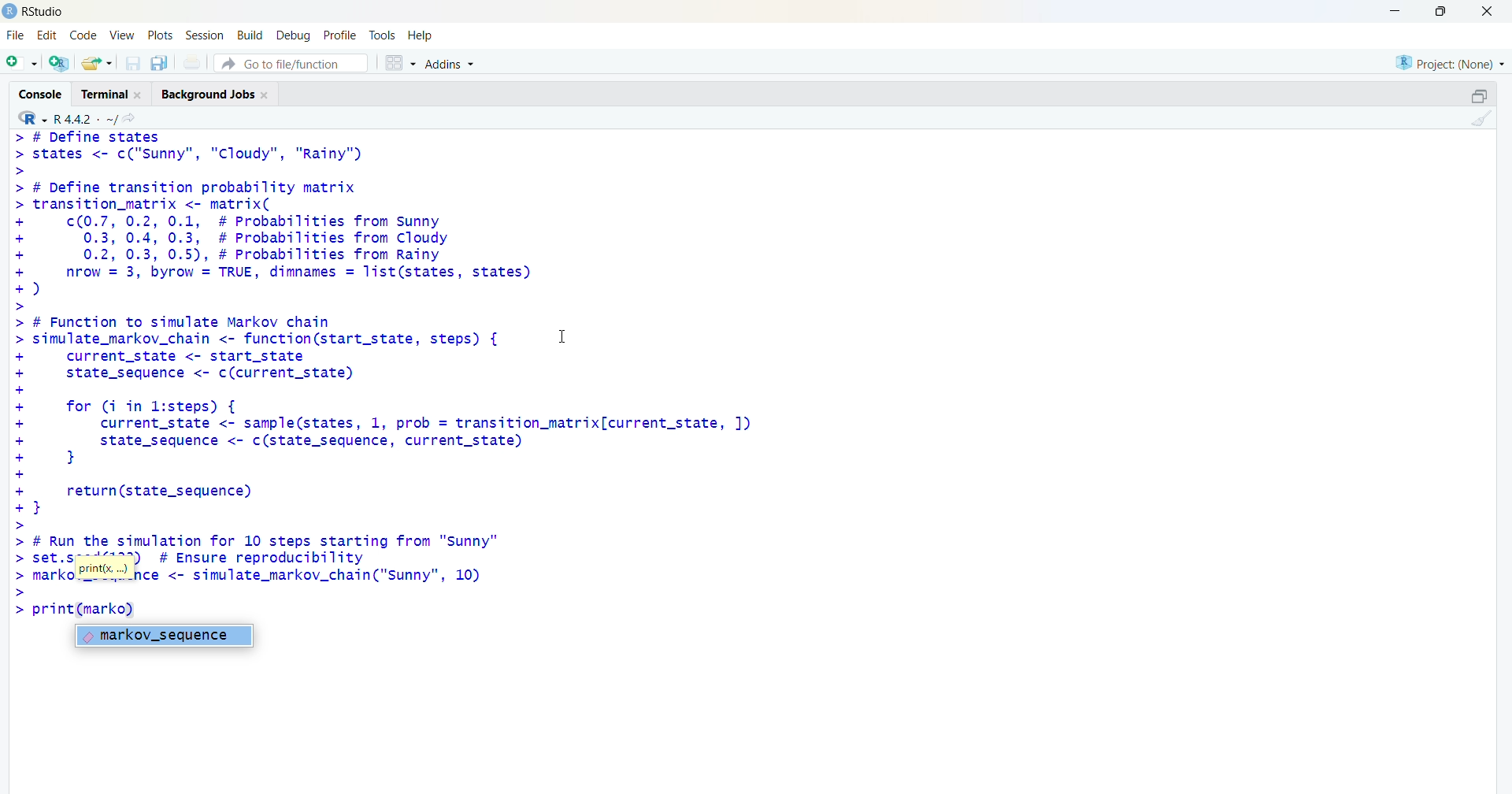 This screenshot has height=794, width=1512. I want to click on project (None), so click(1448, 61).